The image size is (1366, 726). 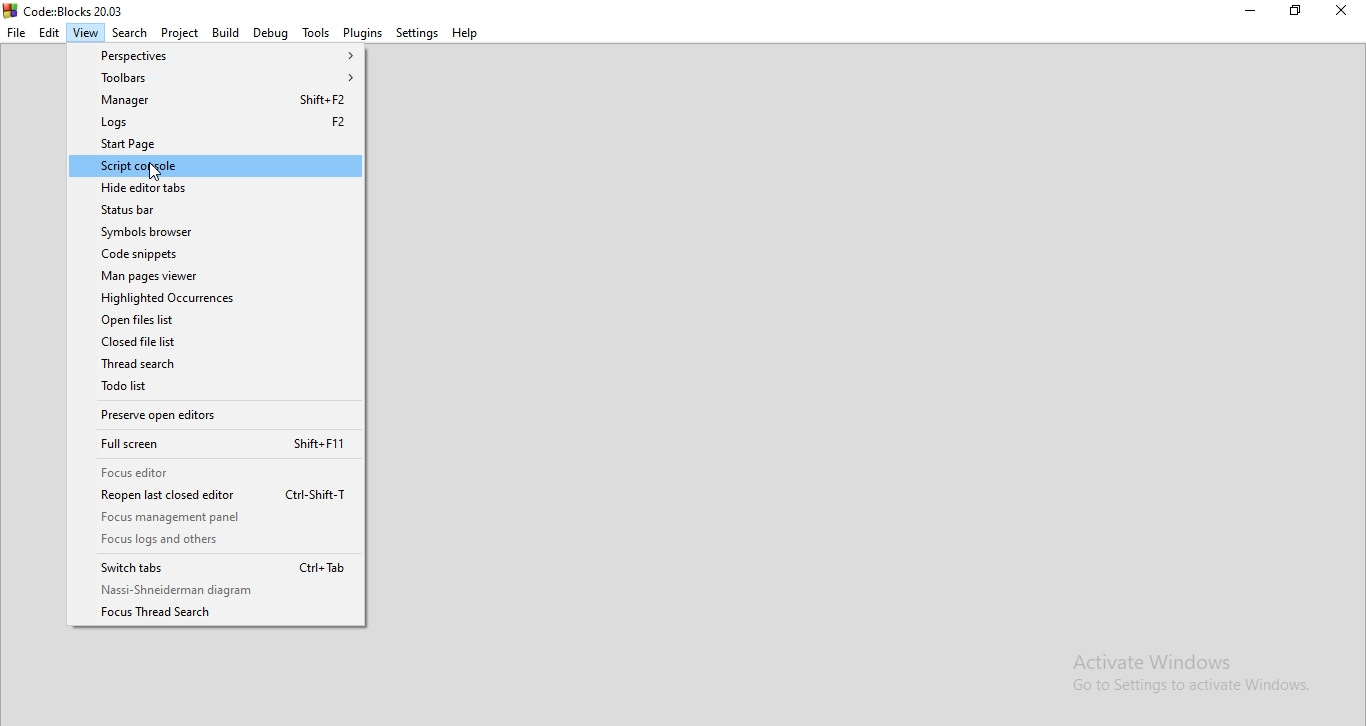 I want to click on close, so click(x=1341, y=12).